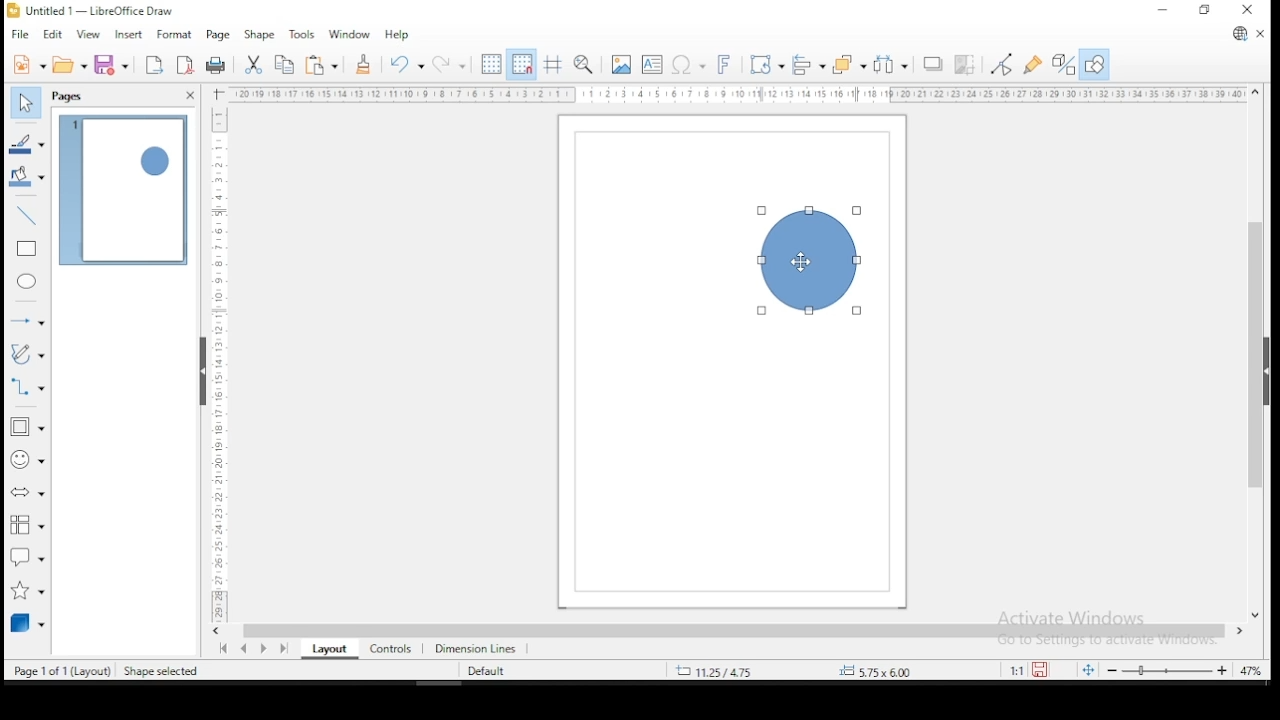 The width and height of the screenshot is (1280, 720). I want to click on zoom factor, so click(926, 670).